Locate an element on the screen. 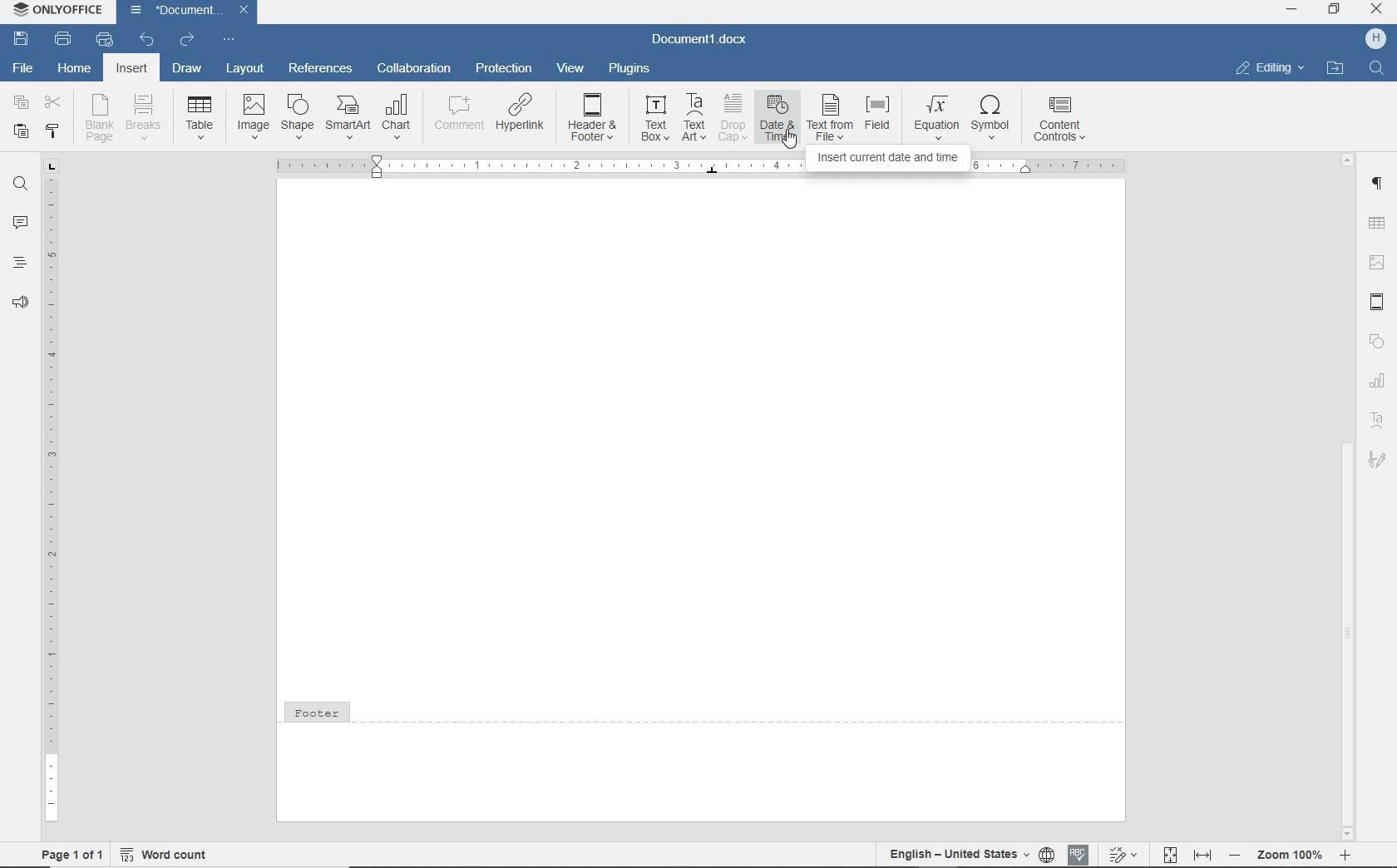  draw is located at coordinates (186, 70).